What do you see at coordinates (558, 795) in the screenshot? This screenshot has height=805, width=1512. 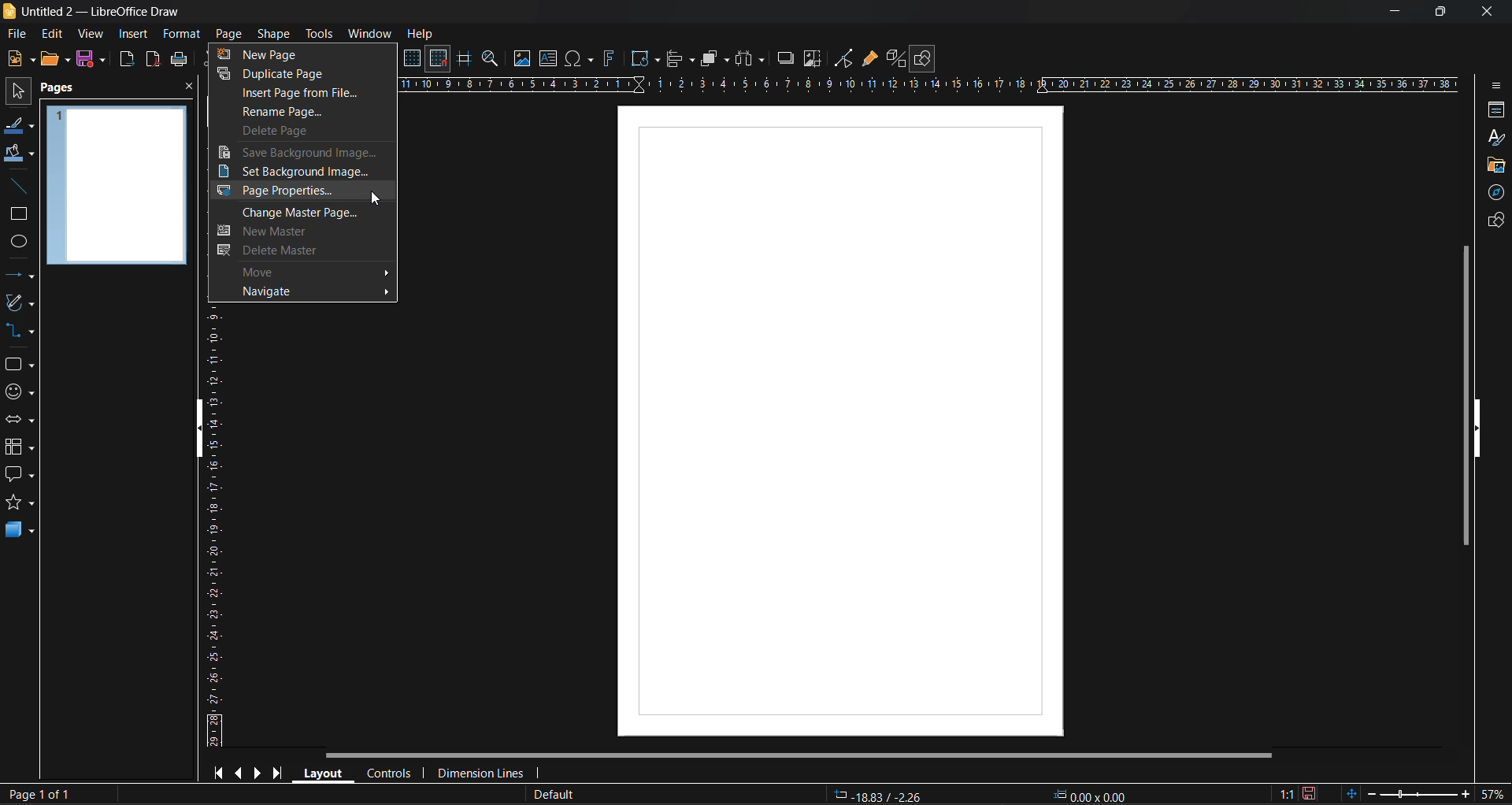 I see `slide master name` at bounding box center [558, 795].